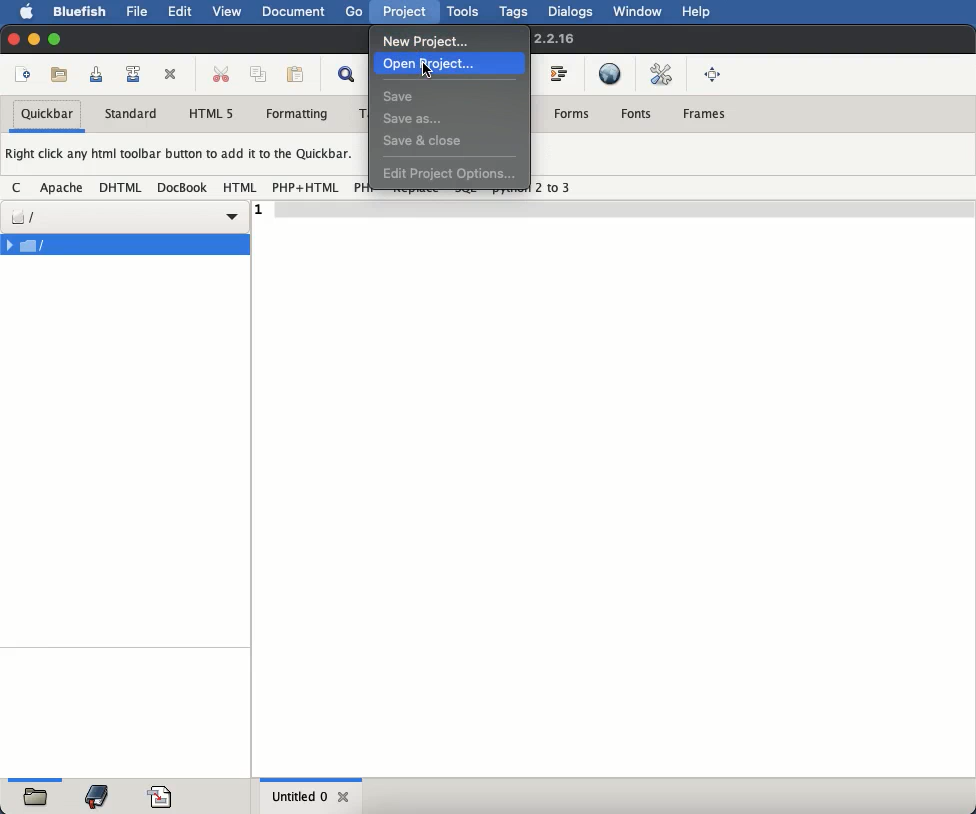  I want to click on minimize, so click(35, 39).